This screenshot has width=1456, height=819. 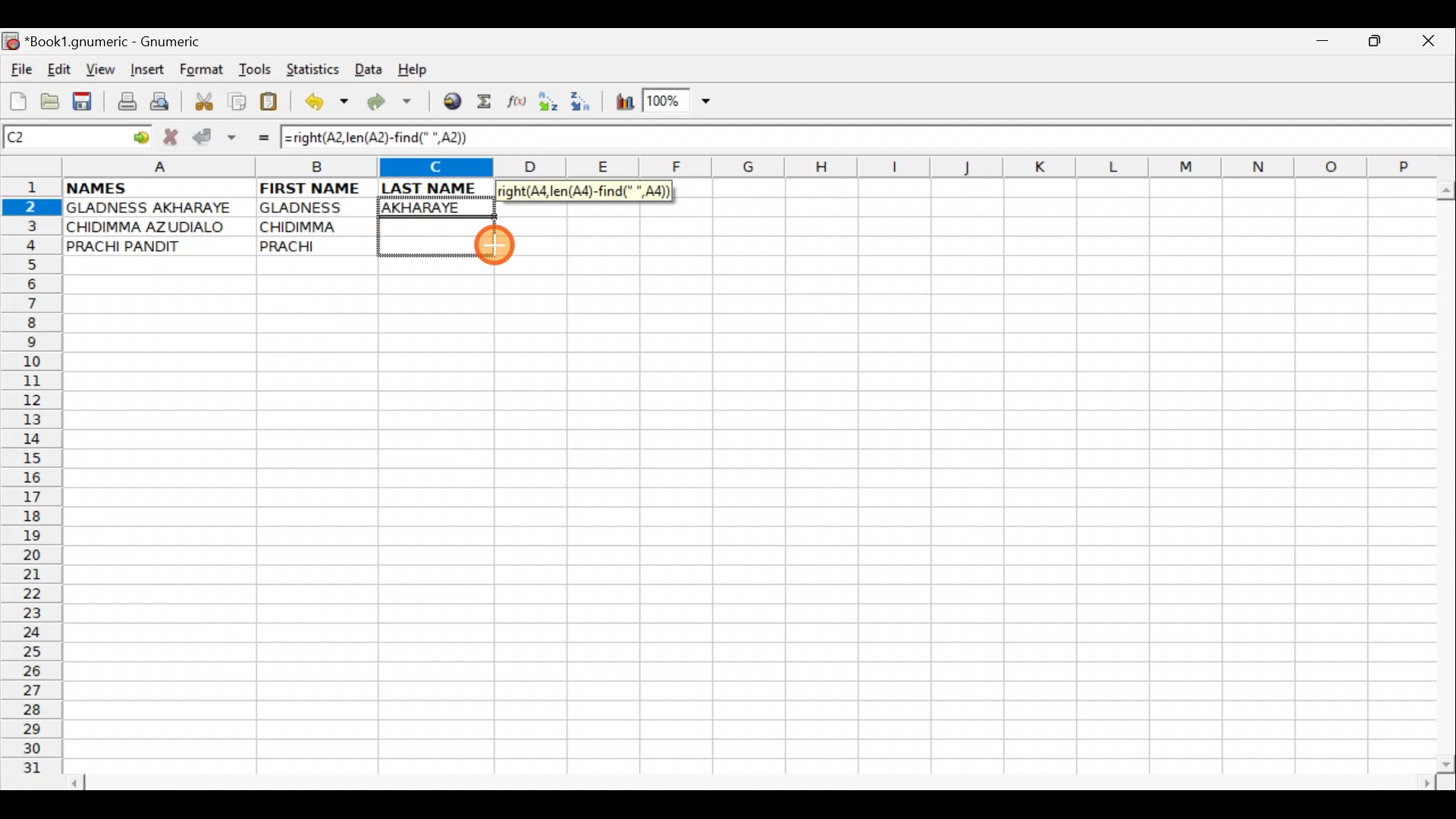 I want to click on File, so click(x=20, y=71).